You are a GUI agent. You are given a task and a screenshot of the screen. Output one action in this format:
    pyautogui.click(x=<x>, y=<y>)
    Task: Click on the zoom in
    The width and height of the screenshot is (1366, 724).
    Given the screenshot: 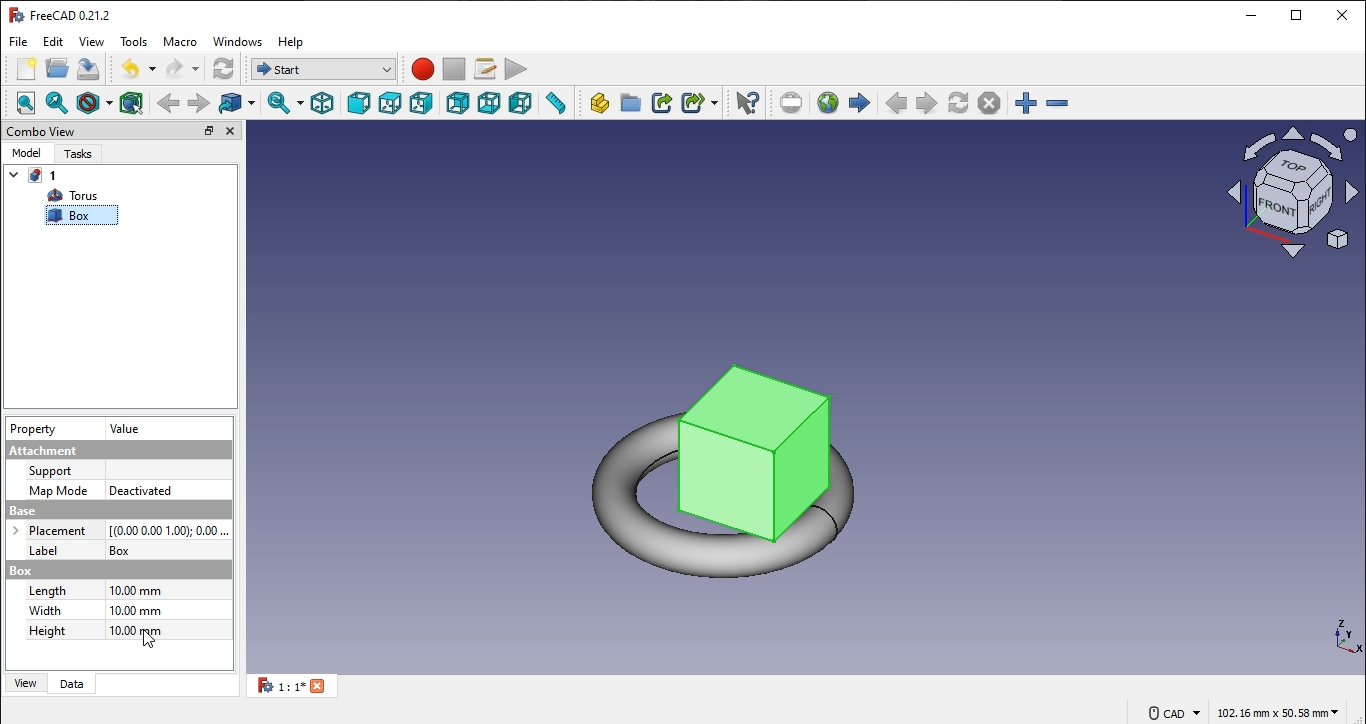 What is the action you would take?
    pyautogui.click(x=1057, y=102)
    